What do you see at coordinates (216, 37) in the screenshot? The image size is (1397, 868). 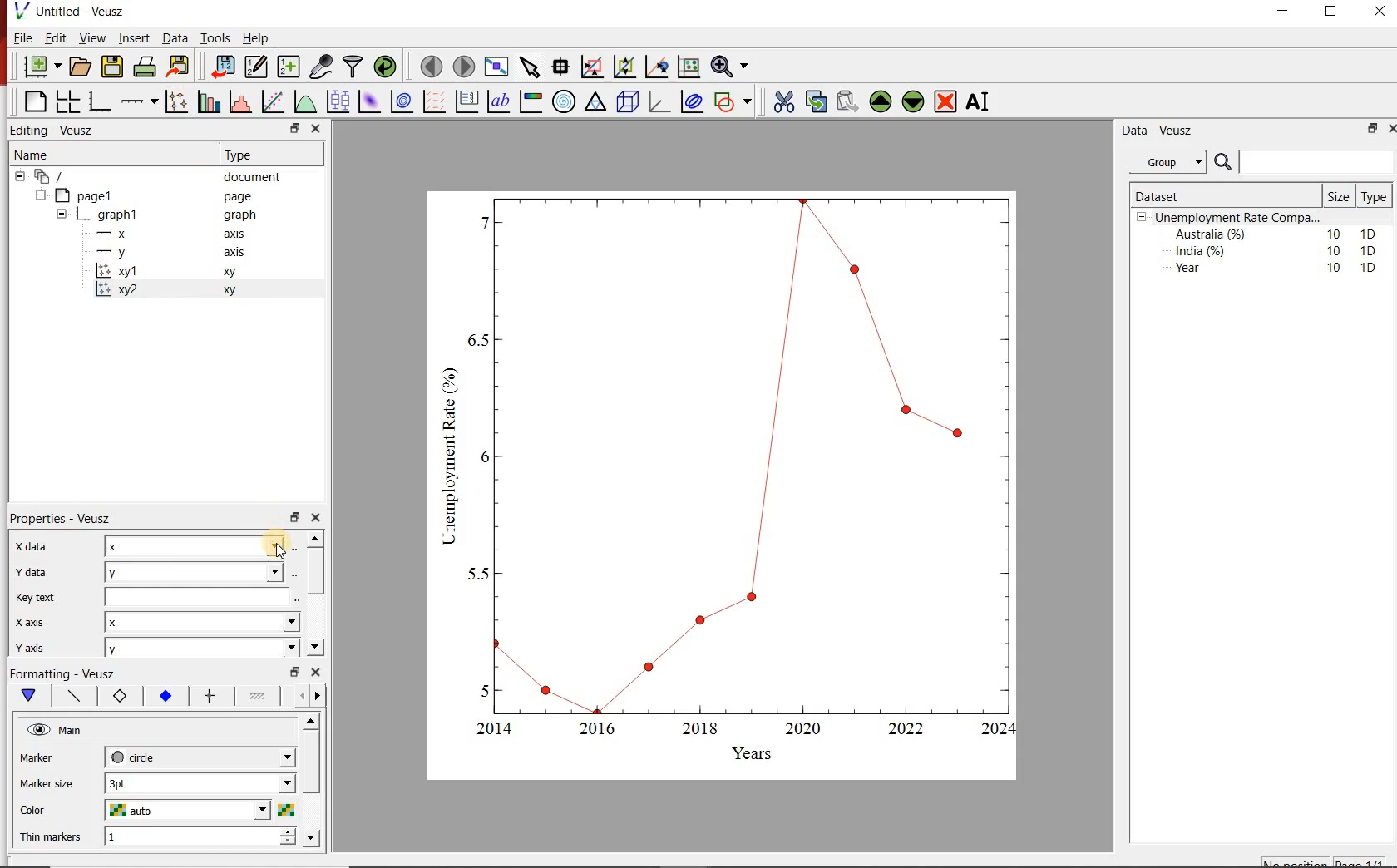 I see `Tools` at bounding box center [216, 37].